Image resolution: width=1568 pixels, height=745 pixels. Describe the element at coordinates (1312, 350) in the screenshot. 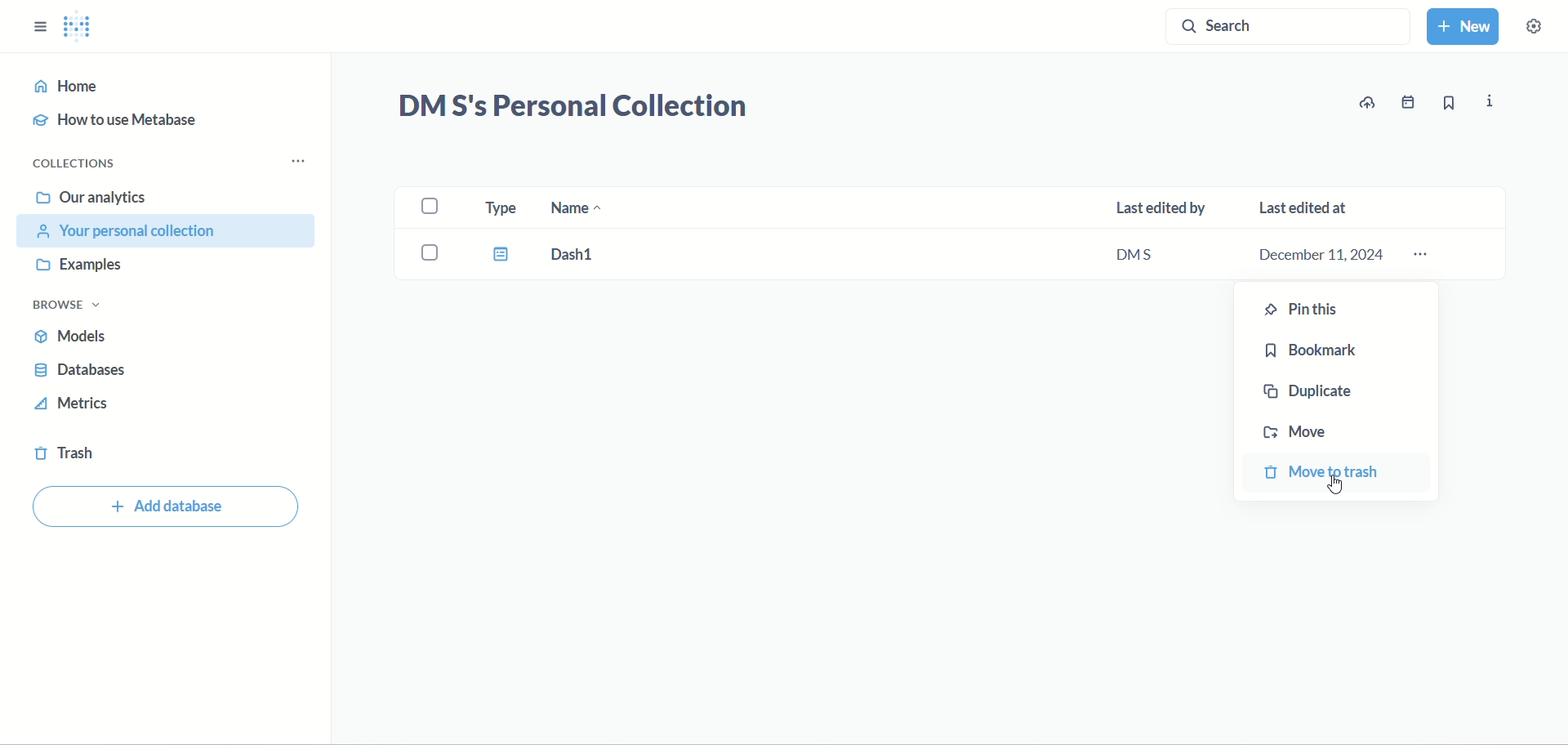

I see `bookmark` at that location.